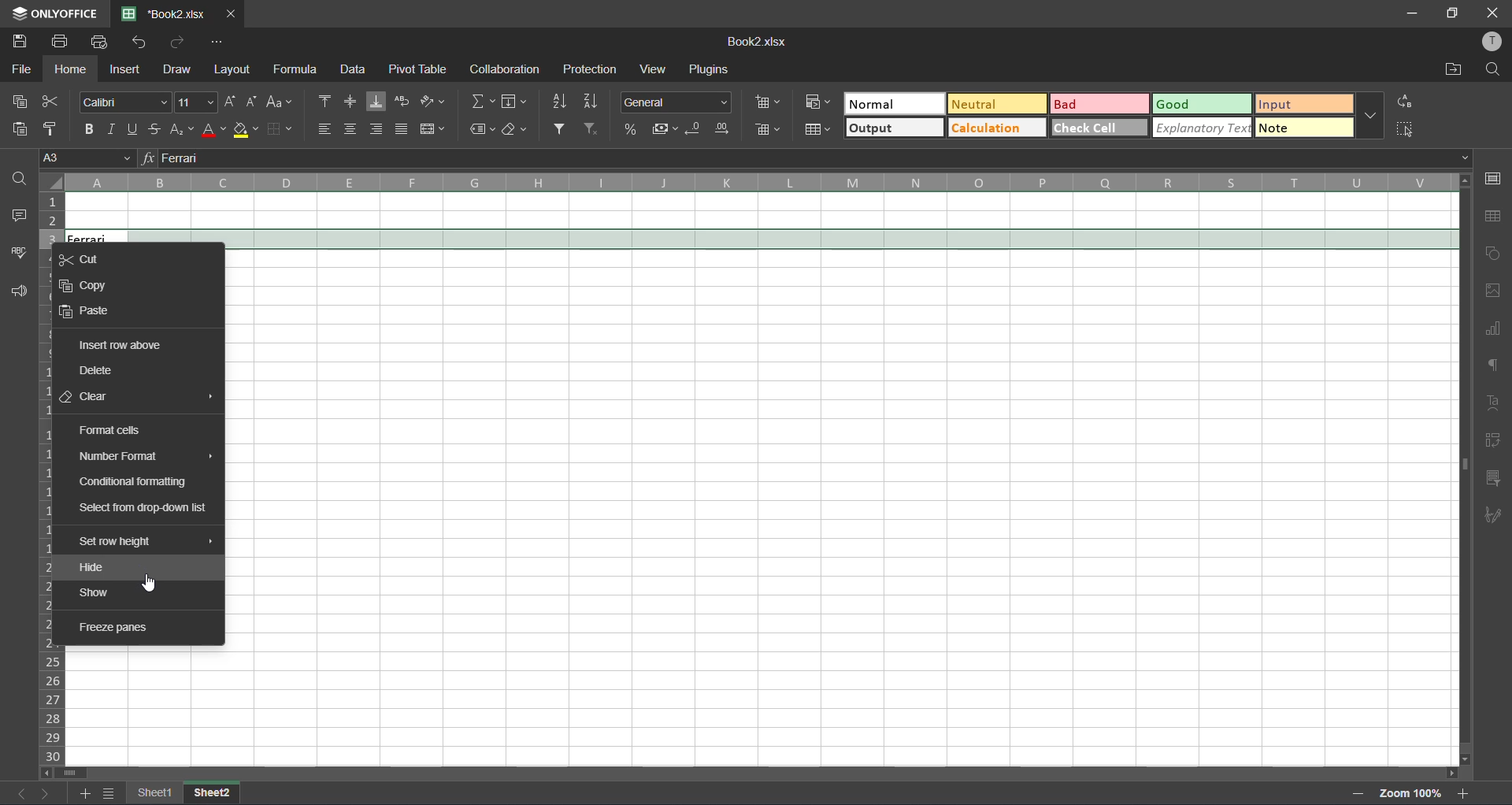  I want to click on plugins, so click(711, 71).